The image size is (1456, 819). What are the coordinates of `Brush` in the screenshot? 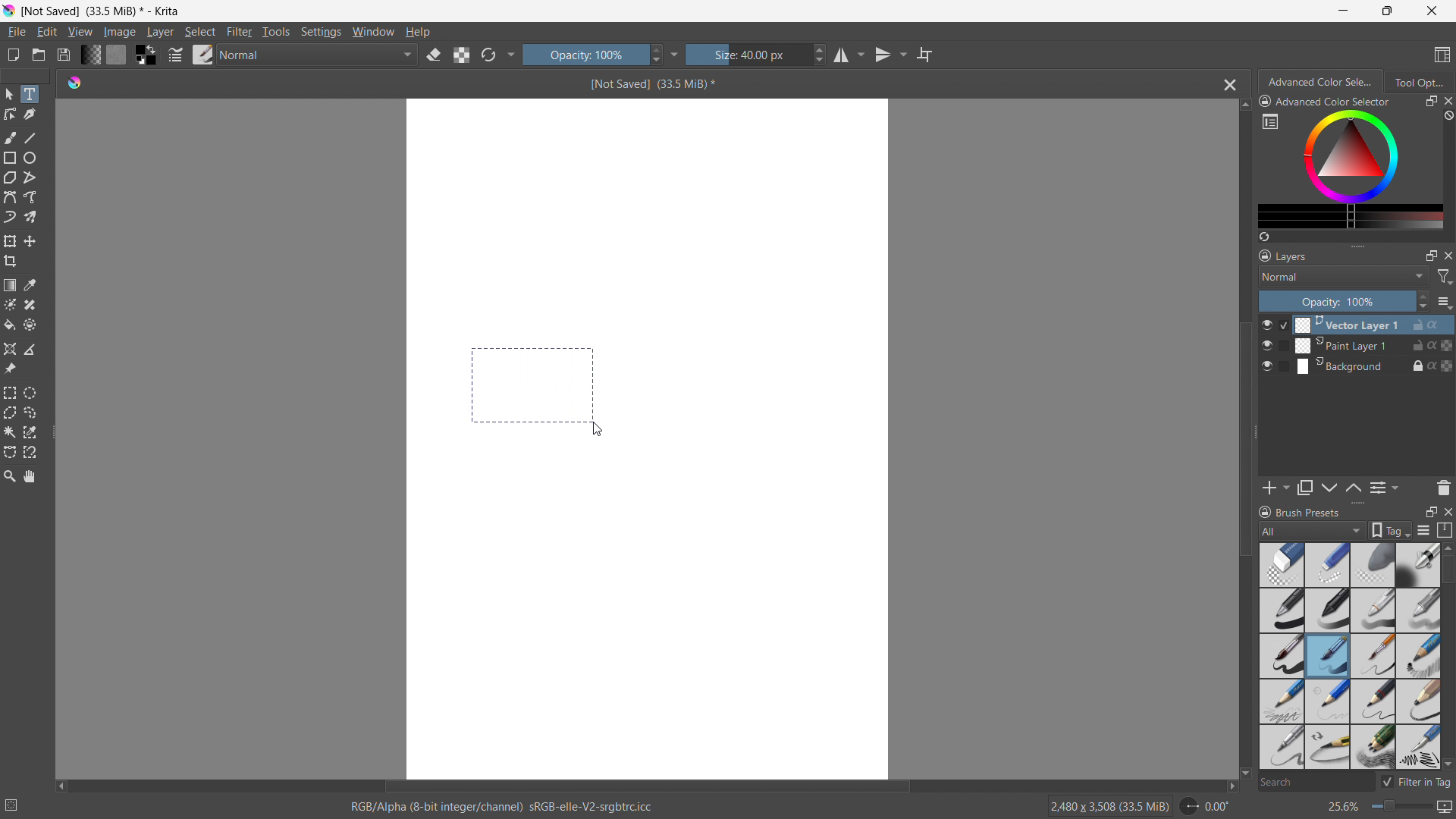 It's located at (1282, 654).